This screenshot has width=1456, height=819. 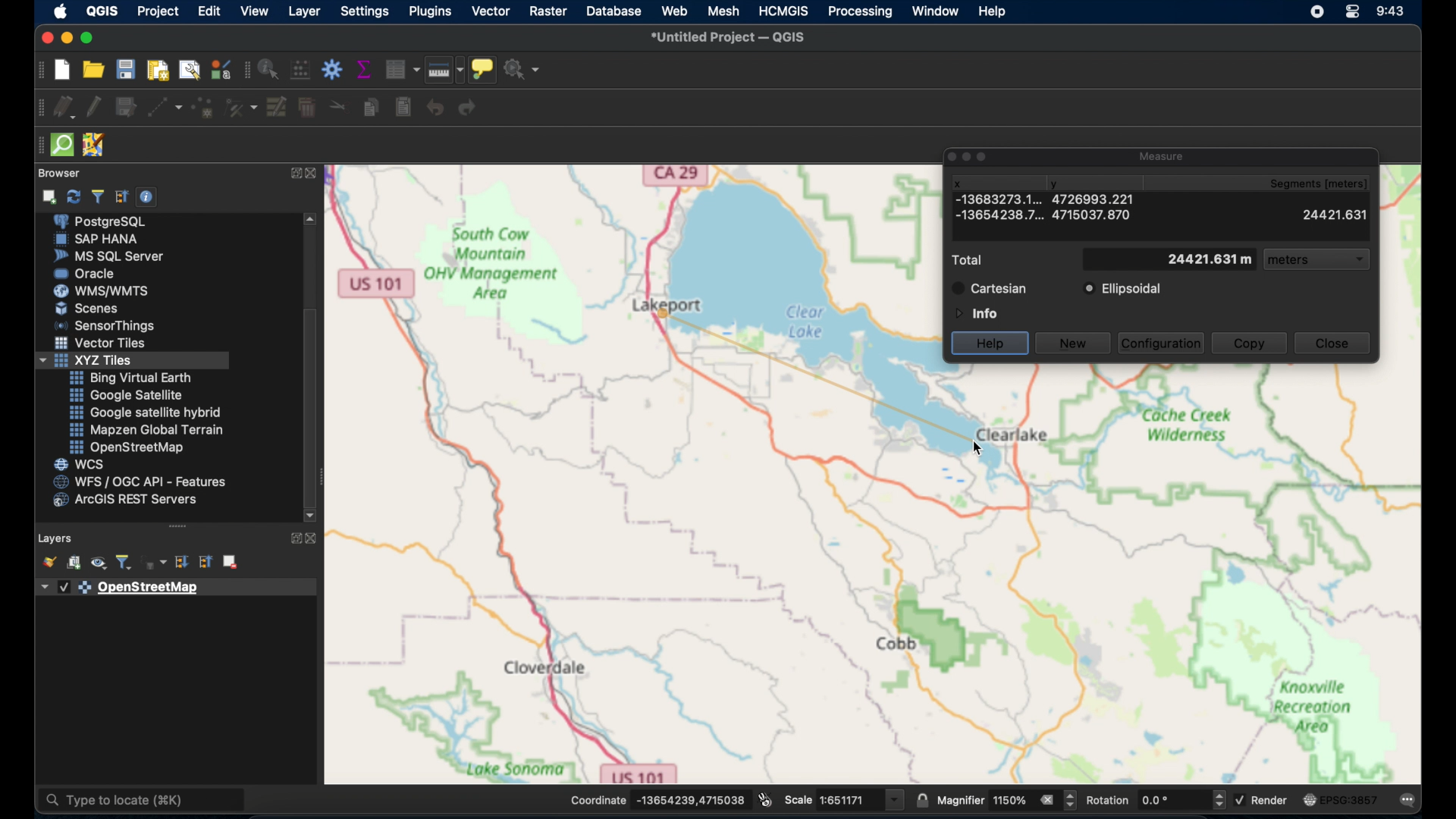 I want to click on browser, so click(x=63, y=171).